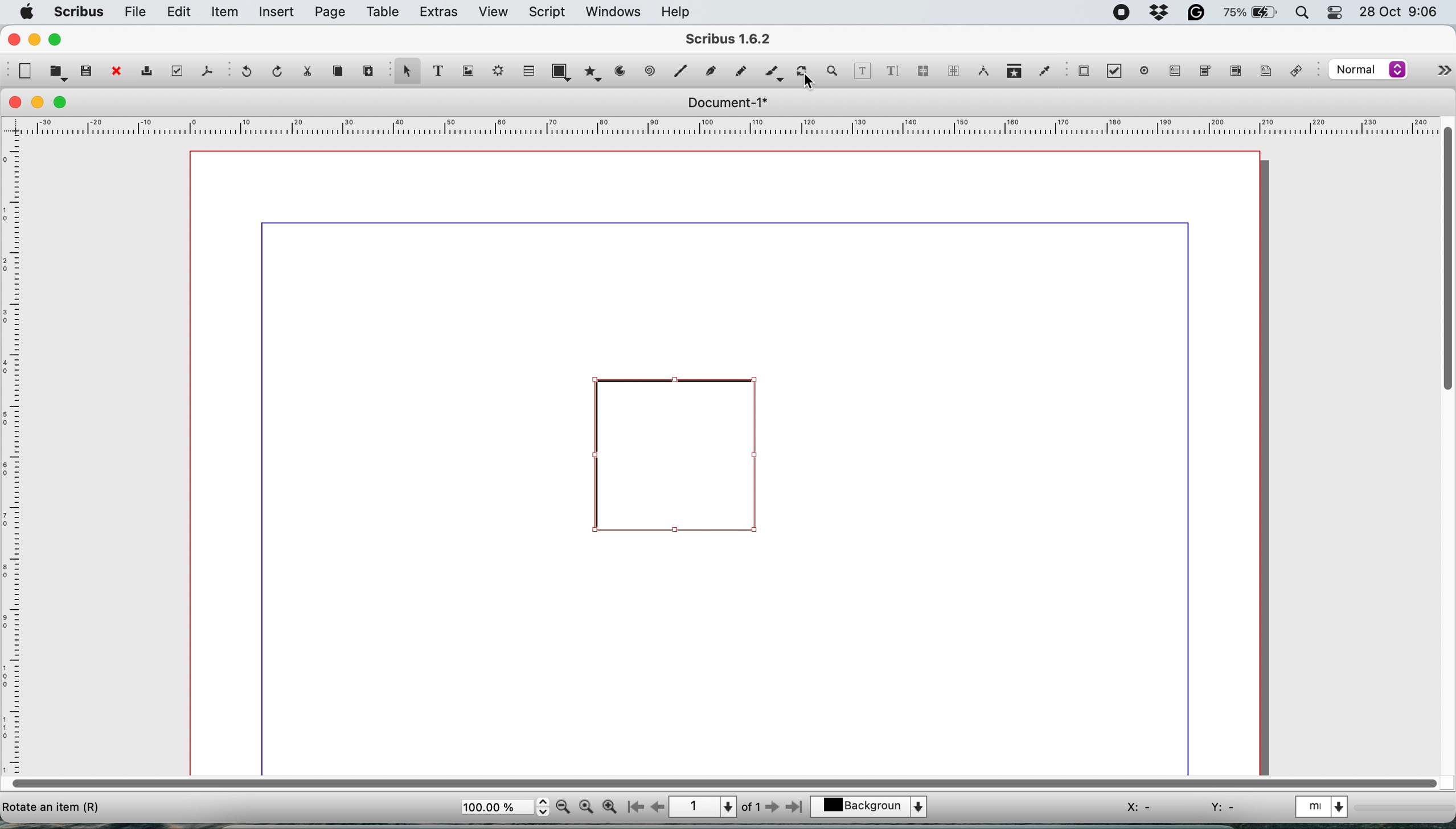 This screenshot has width=1456, height=829. Describe the element at coordinates (720, 782) in the screenshot. I see `horizontal scroll bar` at that location.